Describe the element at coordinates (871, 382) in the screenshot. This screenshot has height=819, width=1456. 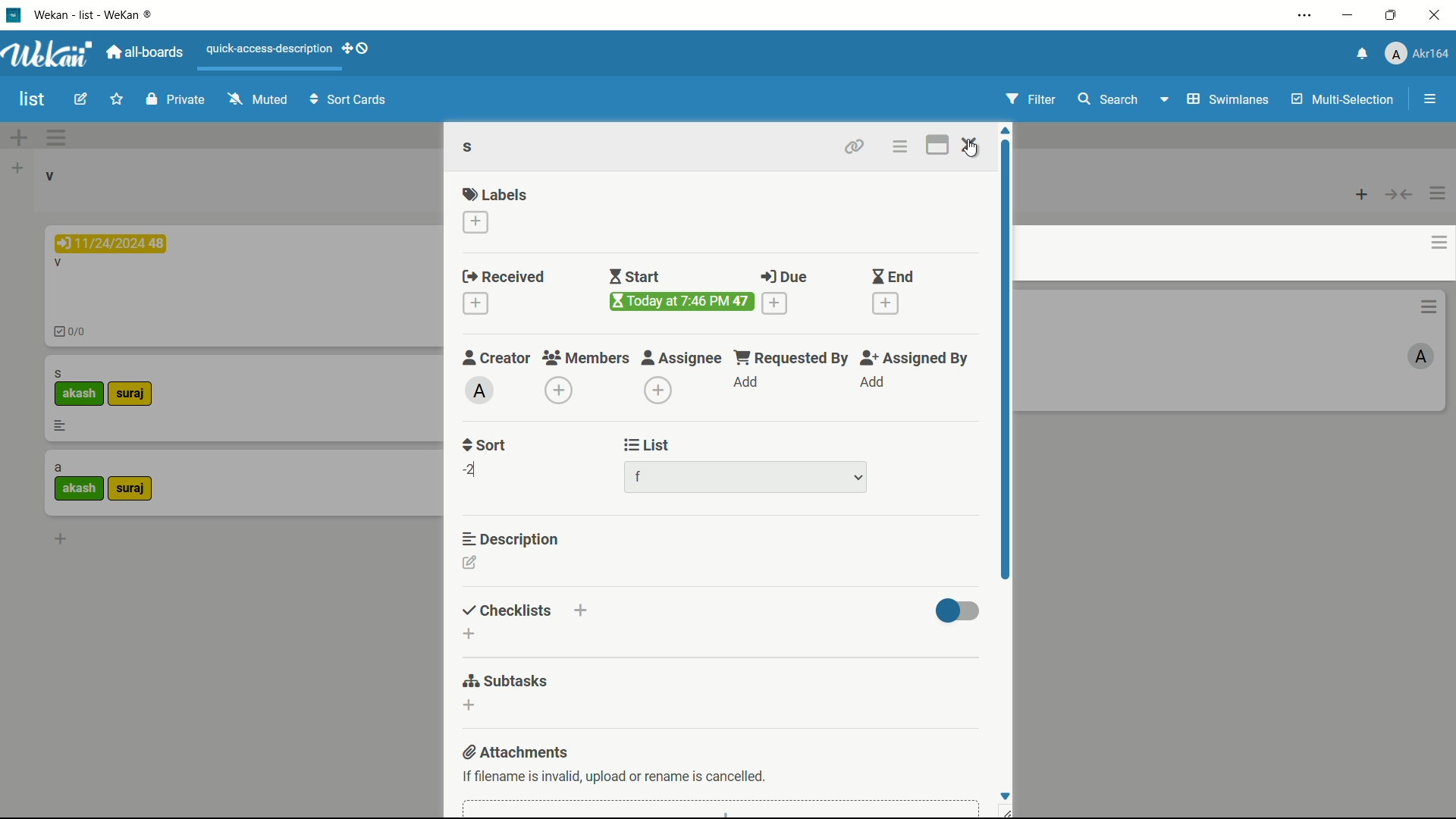
I see `add` at that location.